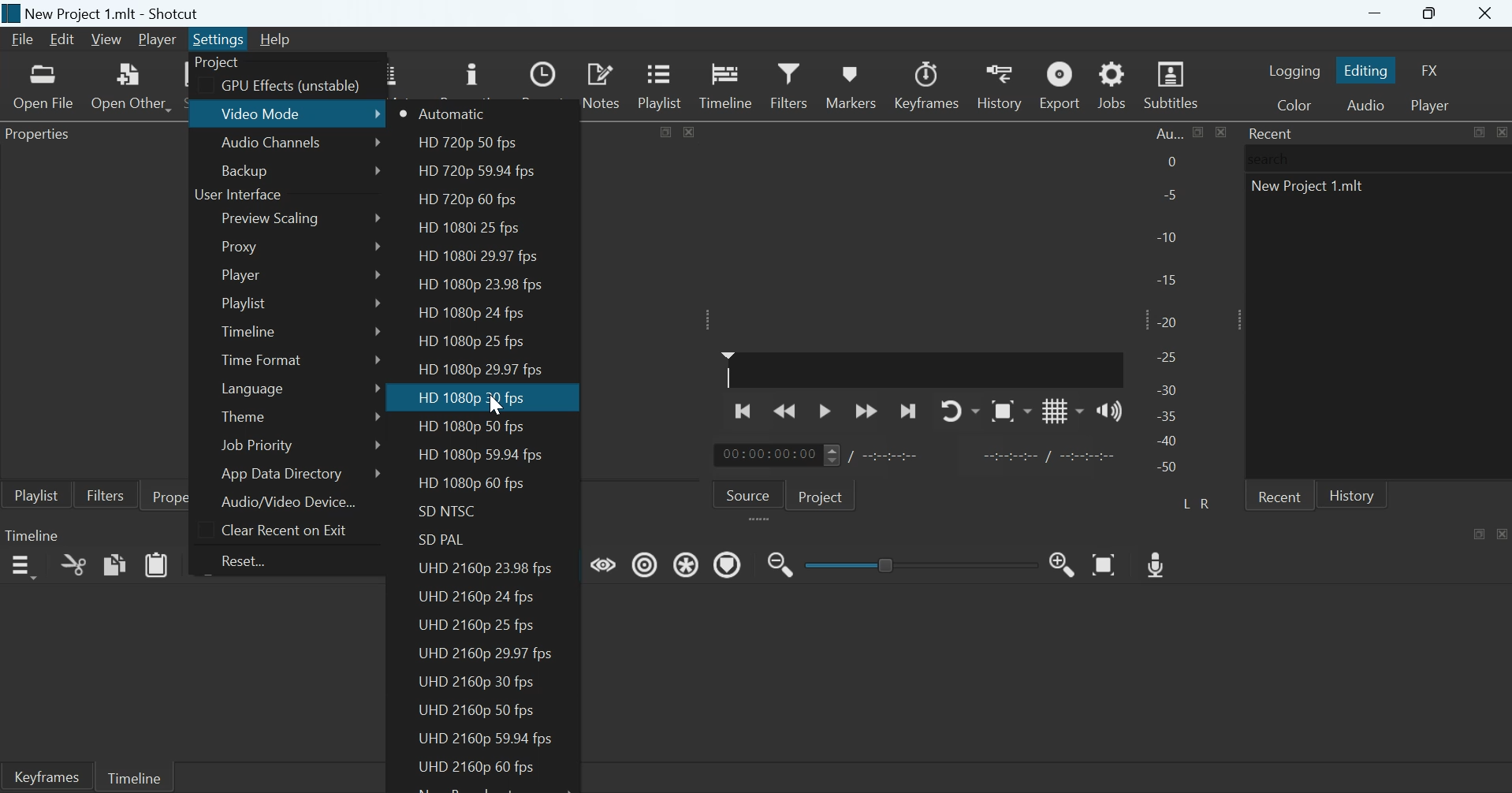  I want to click on Timeline menu, so click(22, 567).